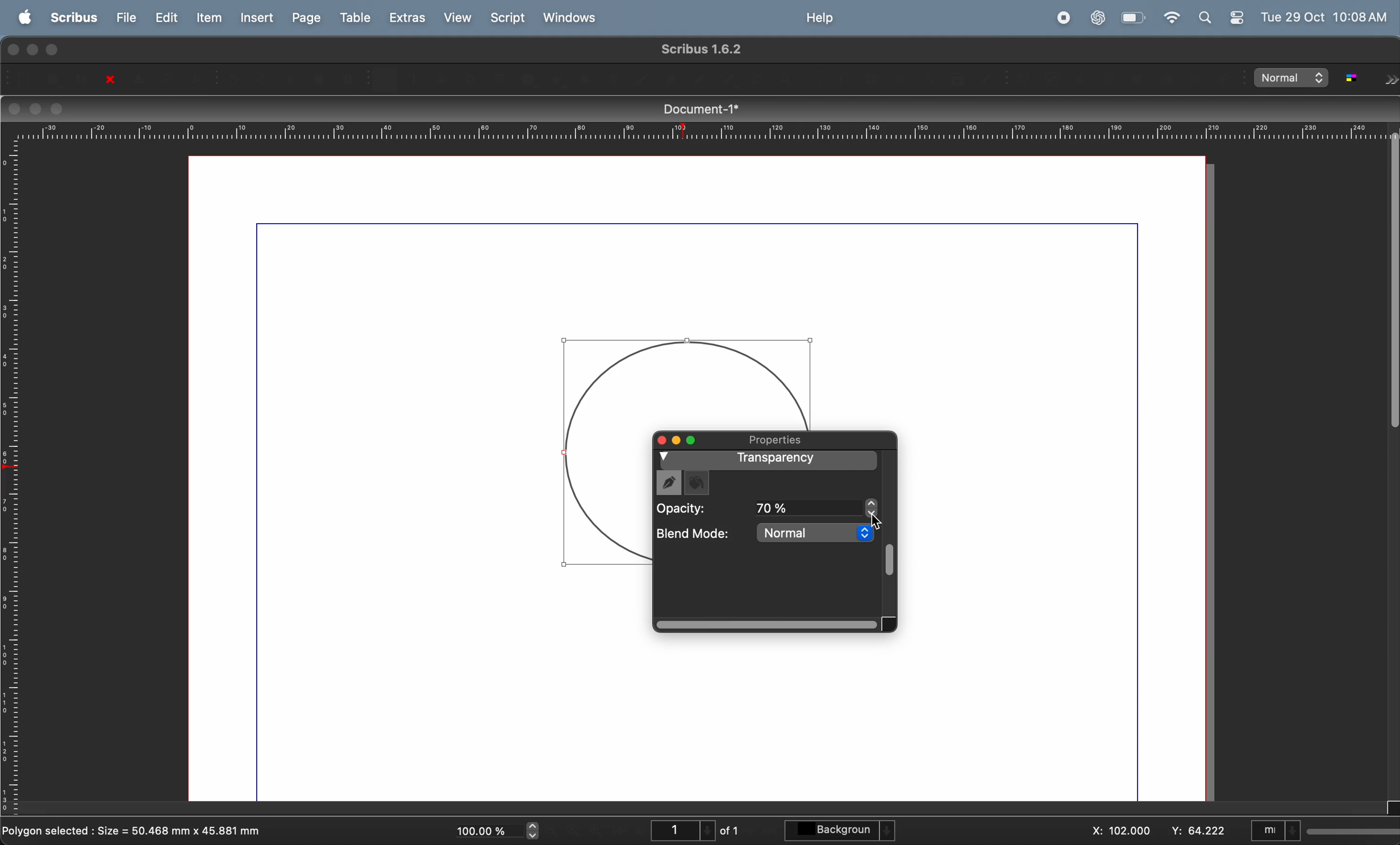  What do you see at coordinates (770, 461) in the screenshot?
I see `transparency` at bounding box center [770, 461].